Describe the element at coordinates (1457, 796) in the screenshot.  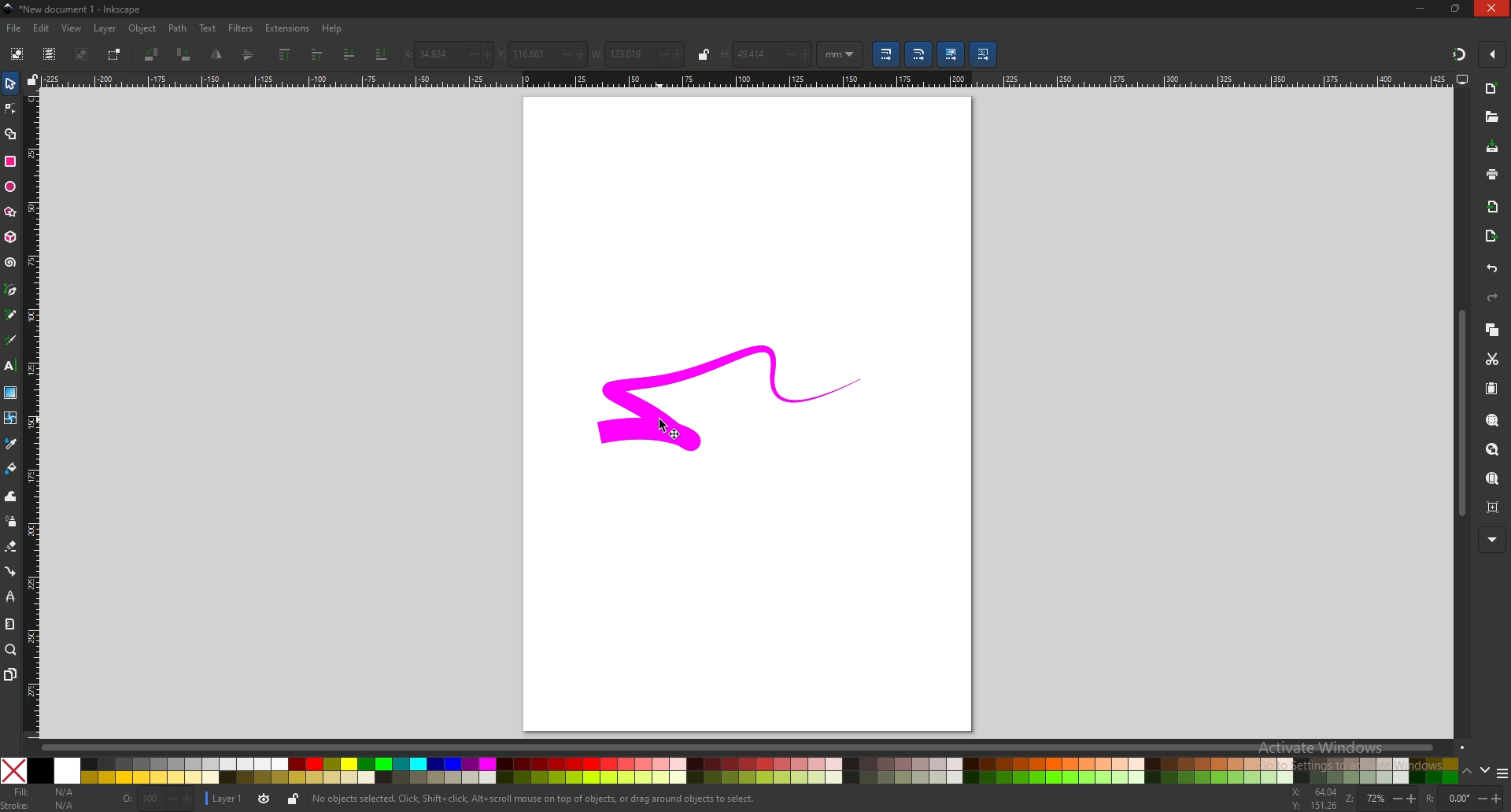
I see `rotate` at that location.